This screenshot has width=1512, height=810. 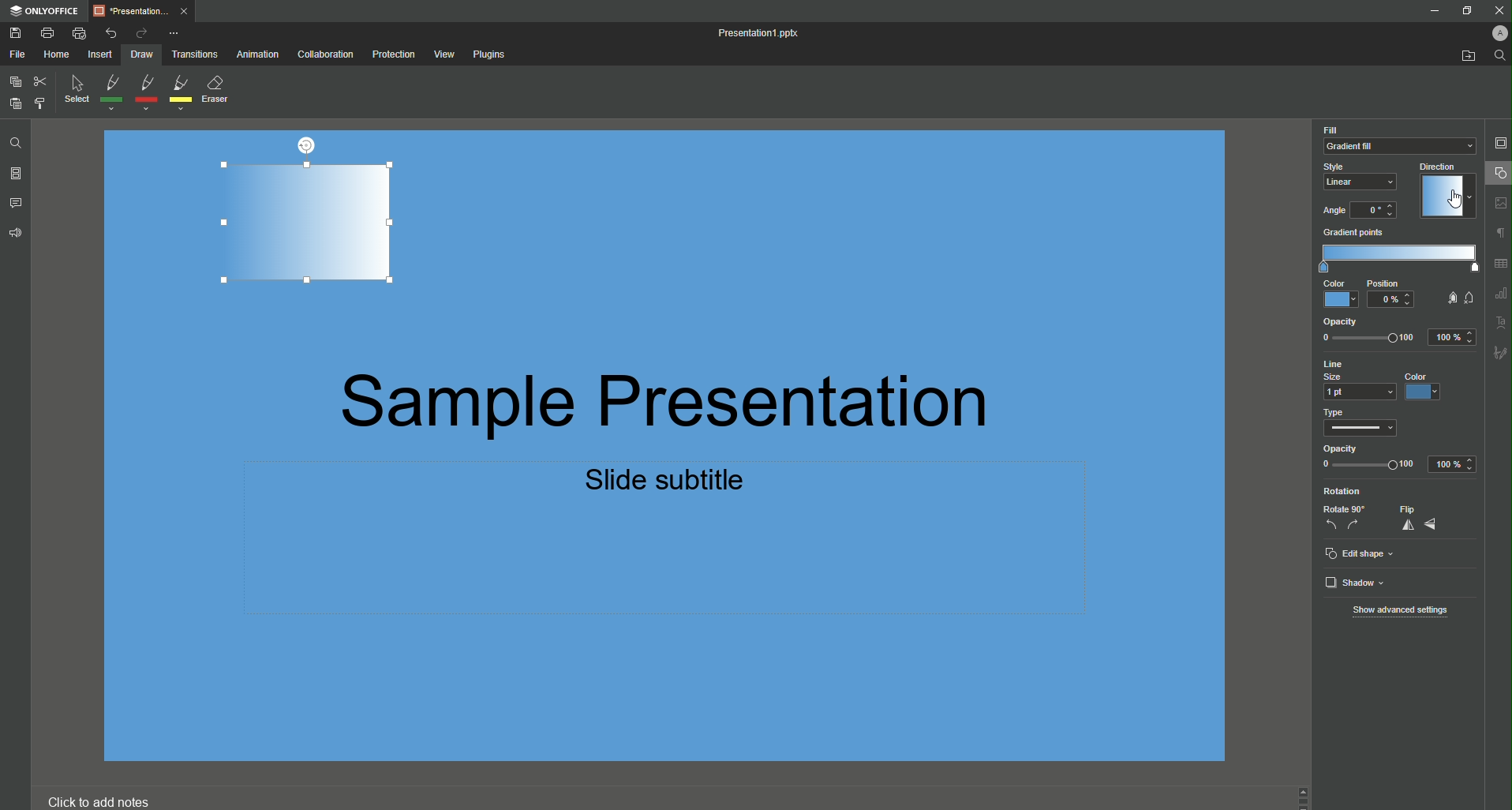 I want to click on Blue, so click(x=1421, y=388).